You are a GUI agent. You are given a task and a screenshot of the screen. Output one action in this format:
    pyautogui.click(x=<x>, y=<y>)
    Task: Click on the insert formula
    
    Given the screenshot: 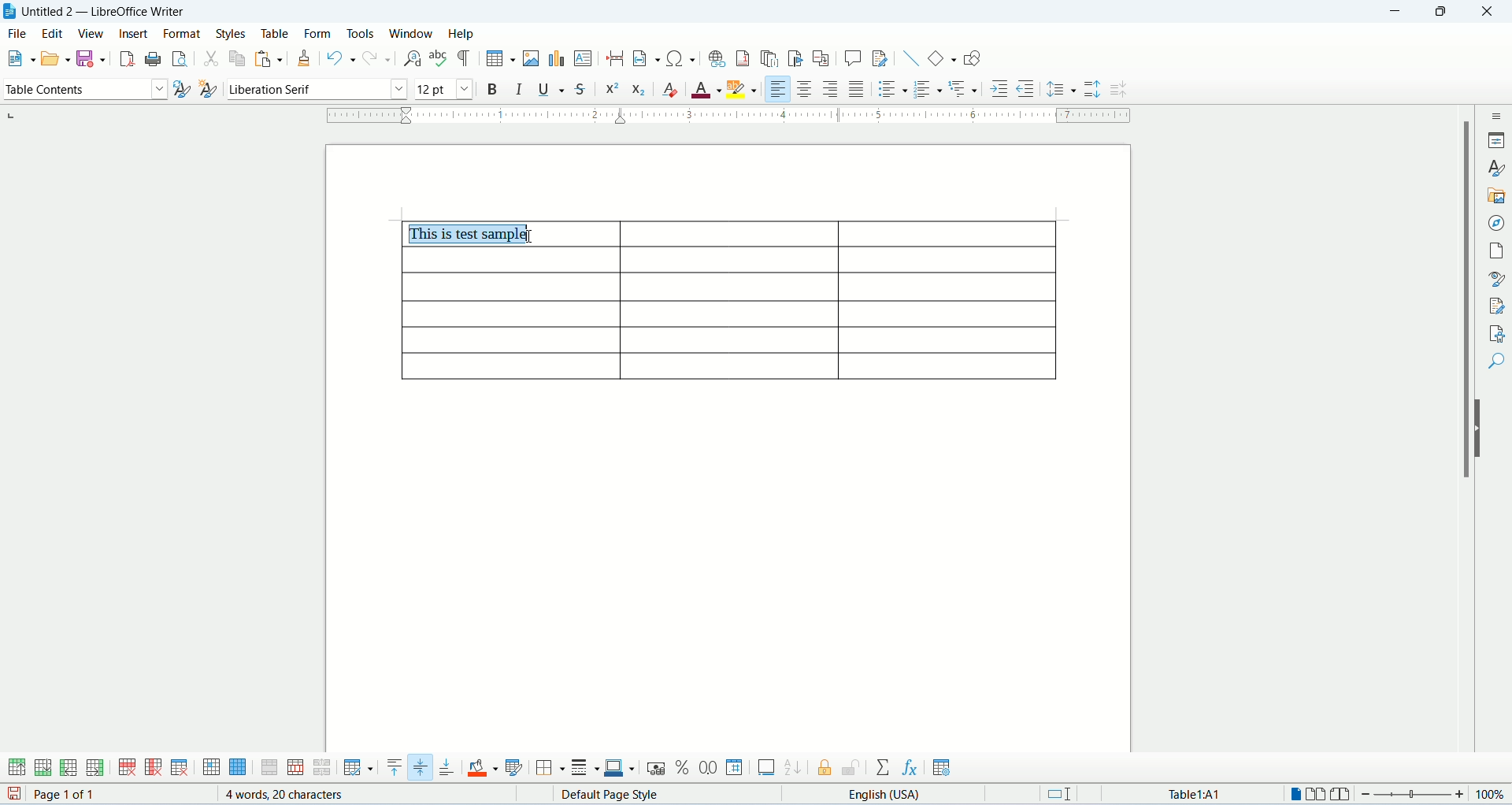 What is the action you would take?
    pyautogui.click(x=908, y=767)
    